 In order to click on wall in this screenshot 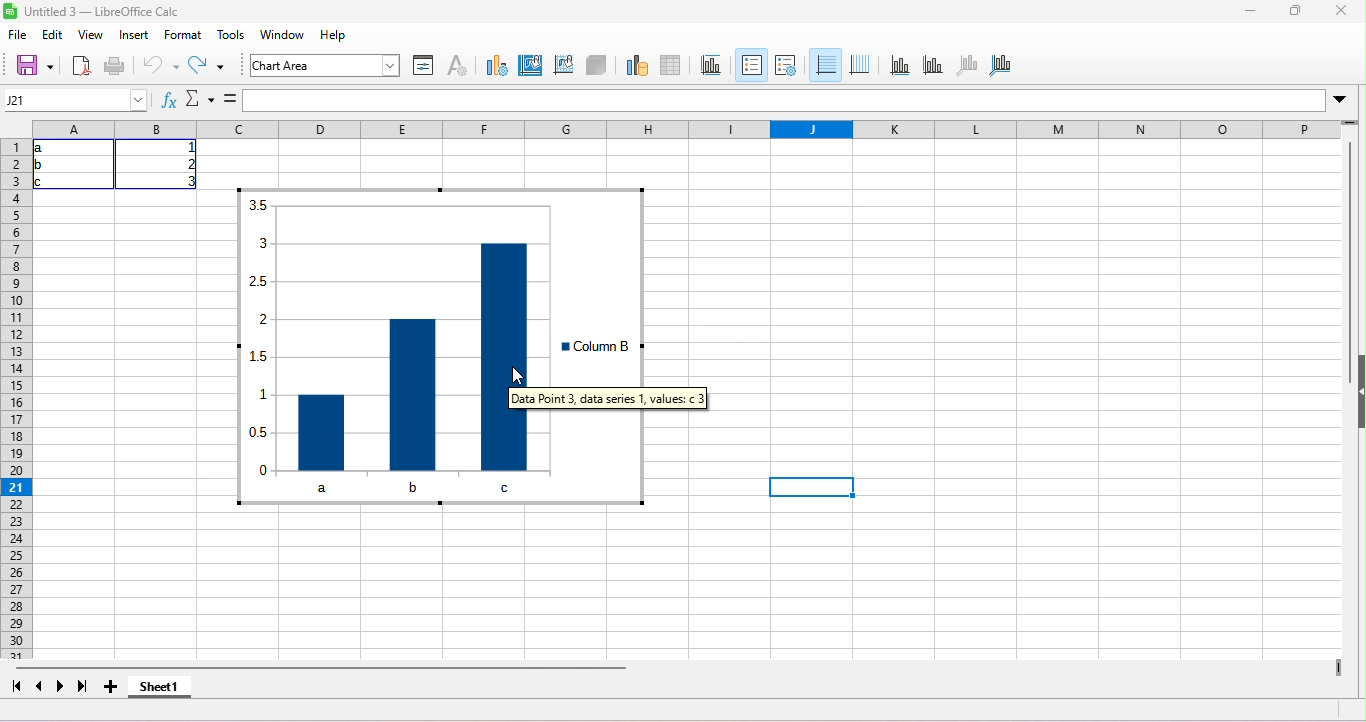, I will do `click(563, 67)`.